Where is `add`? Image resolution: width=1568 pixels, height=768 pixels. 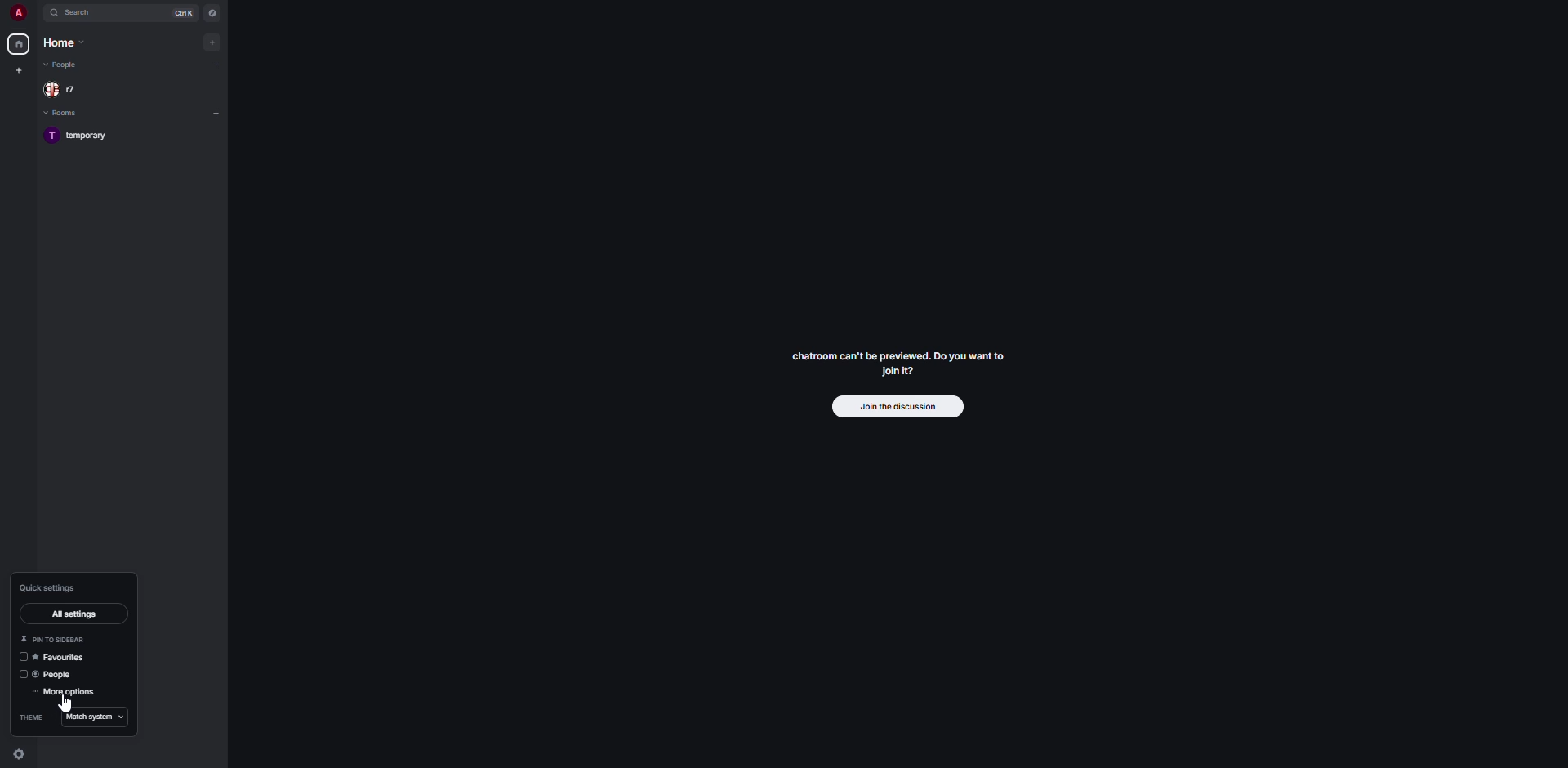 add is located at coordinates (216, 111).